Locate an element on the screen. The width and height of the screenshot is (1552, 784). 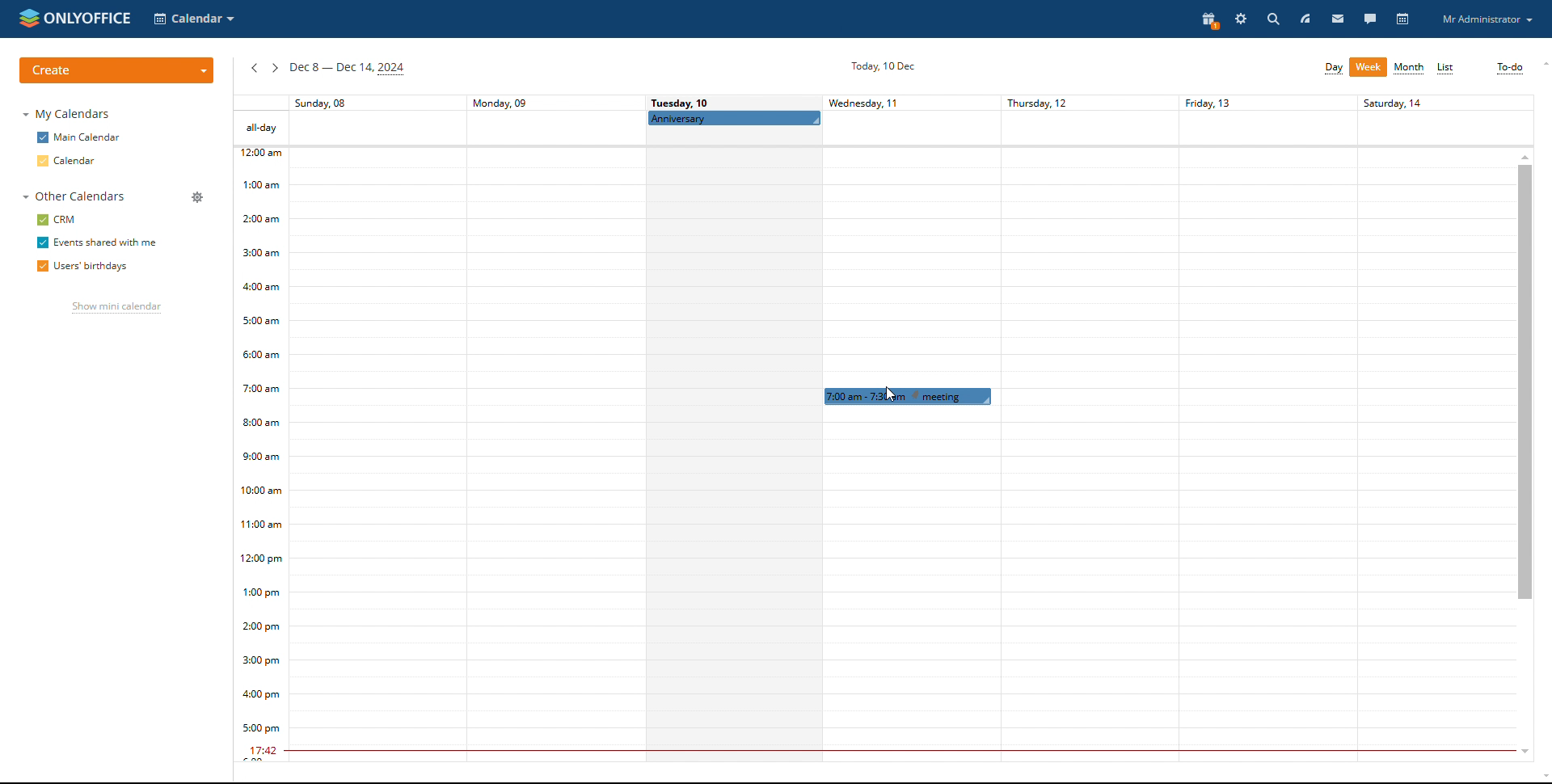
main calendar is located at coordinates (78, 137).